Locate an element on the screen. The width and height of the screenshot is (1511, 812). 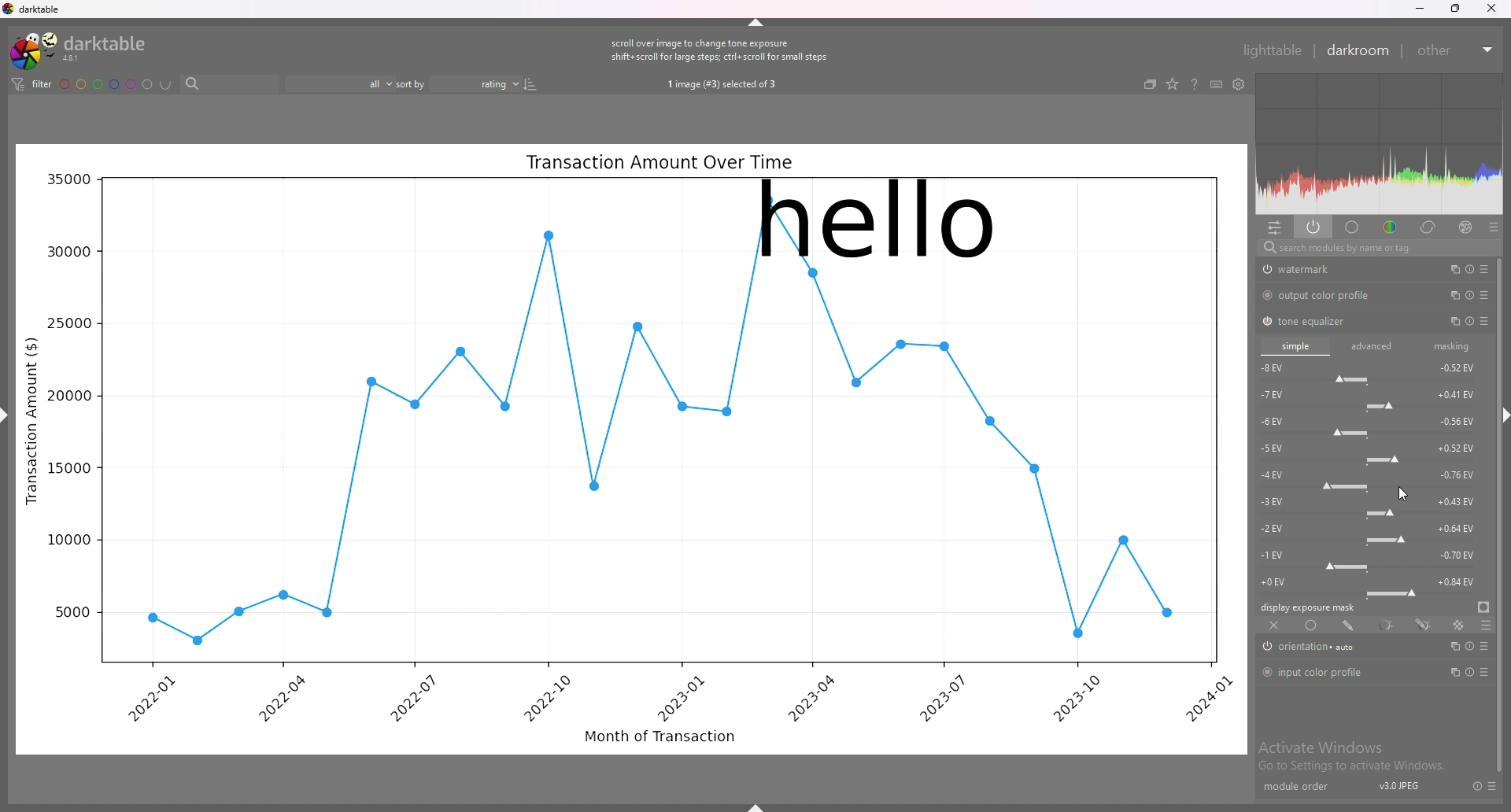
10000 is located at coordinates (66, 540).